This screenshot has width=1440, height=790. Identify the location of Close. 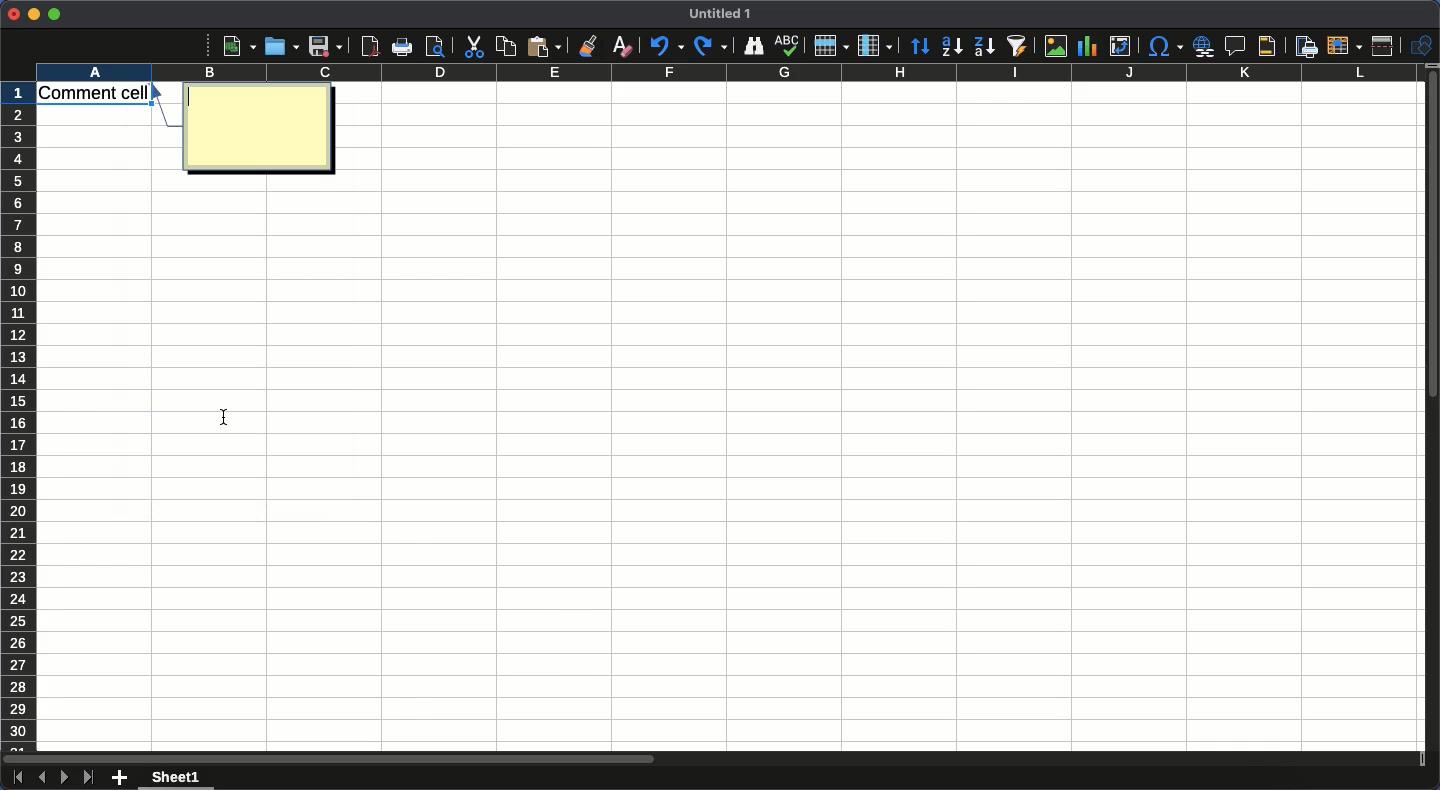
(10, 12).